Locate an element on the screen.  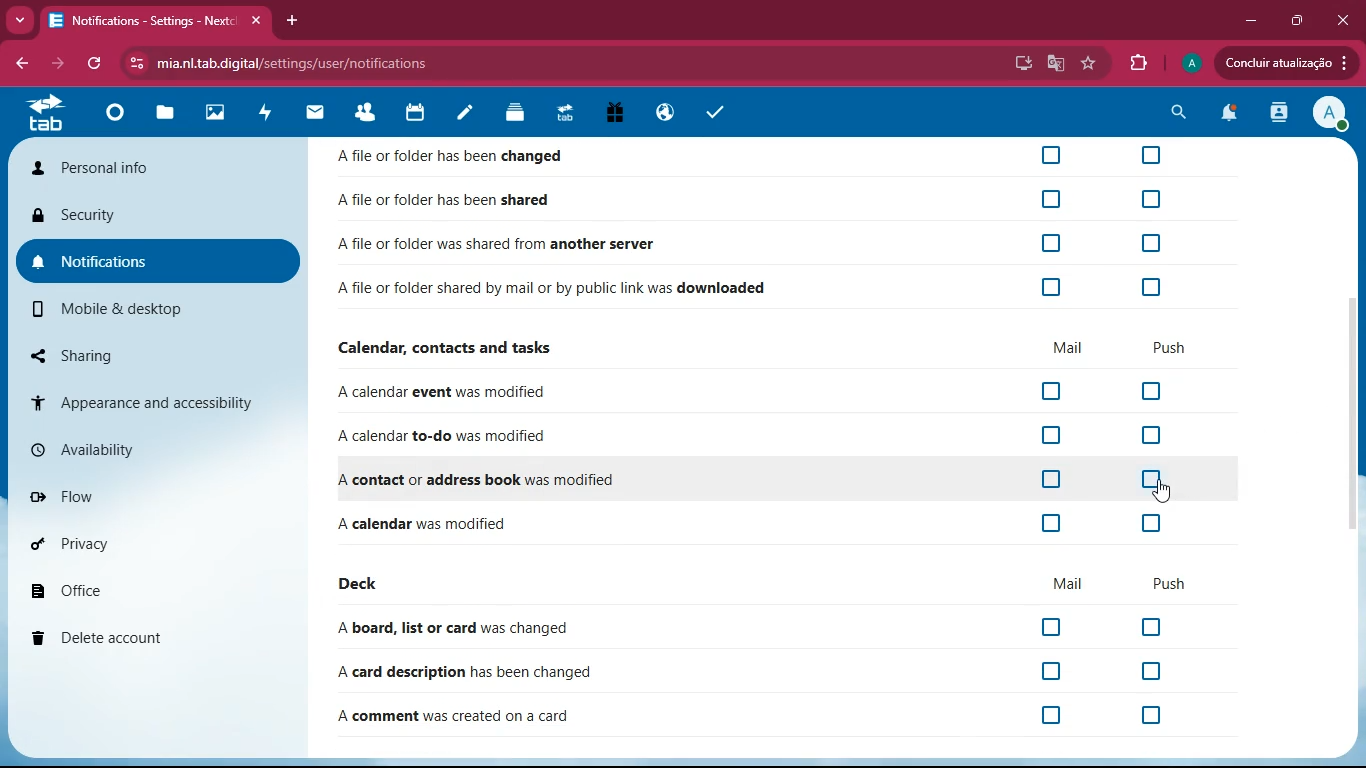
tasks is located at coordinates (718, 114).